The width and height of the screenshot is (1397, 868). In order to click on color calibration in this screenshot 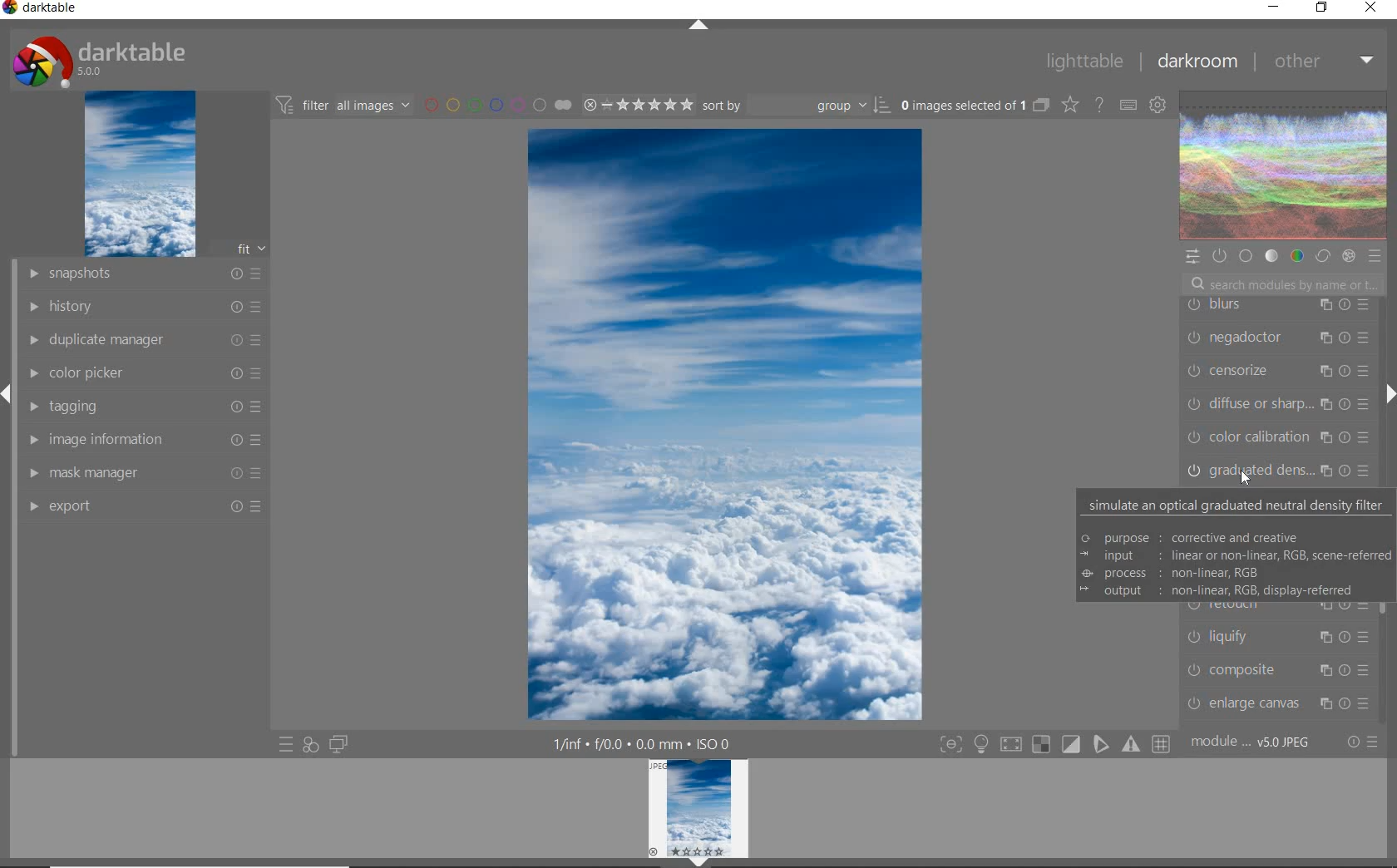, I will do `click(1279, 437)`.